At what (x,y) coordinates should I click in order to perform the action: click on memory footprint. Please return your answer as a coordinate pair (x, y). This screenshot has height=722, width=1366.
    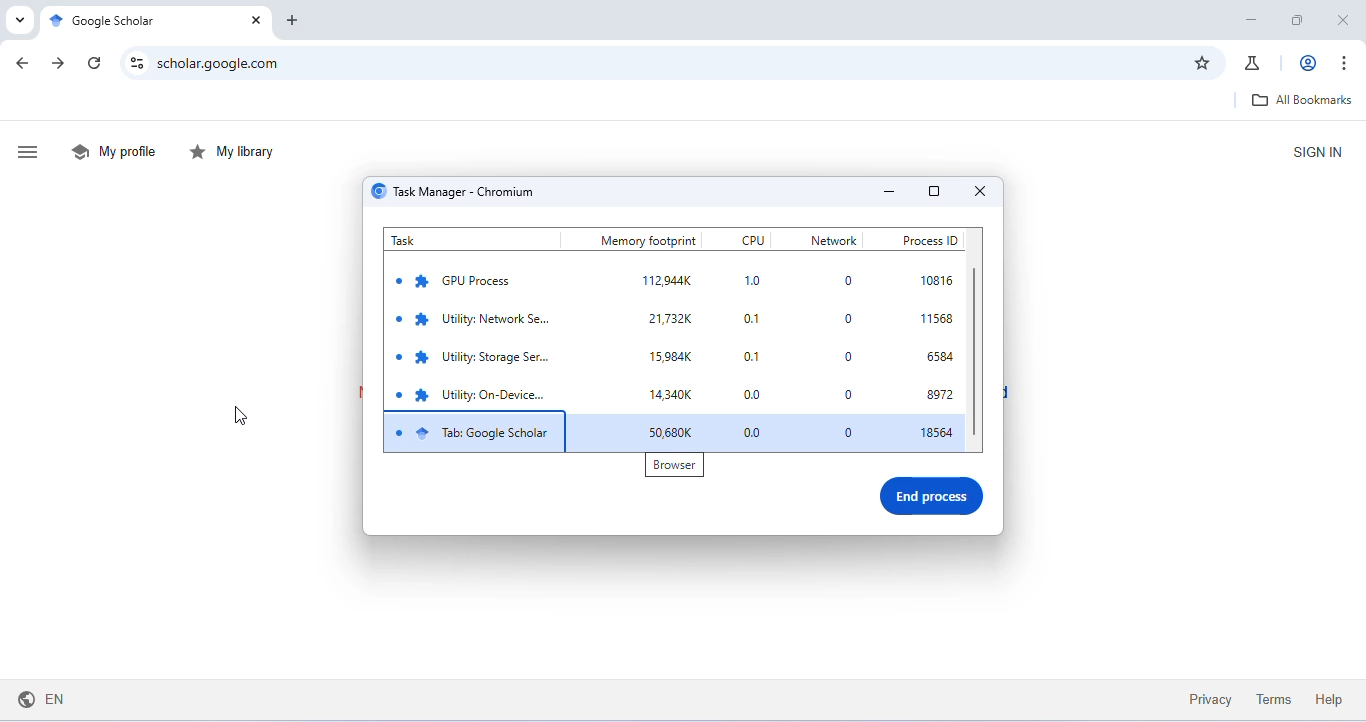
    Looking at the image, I should click on (651, 240).